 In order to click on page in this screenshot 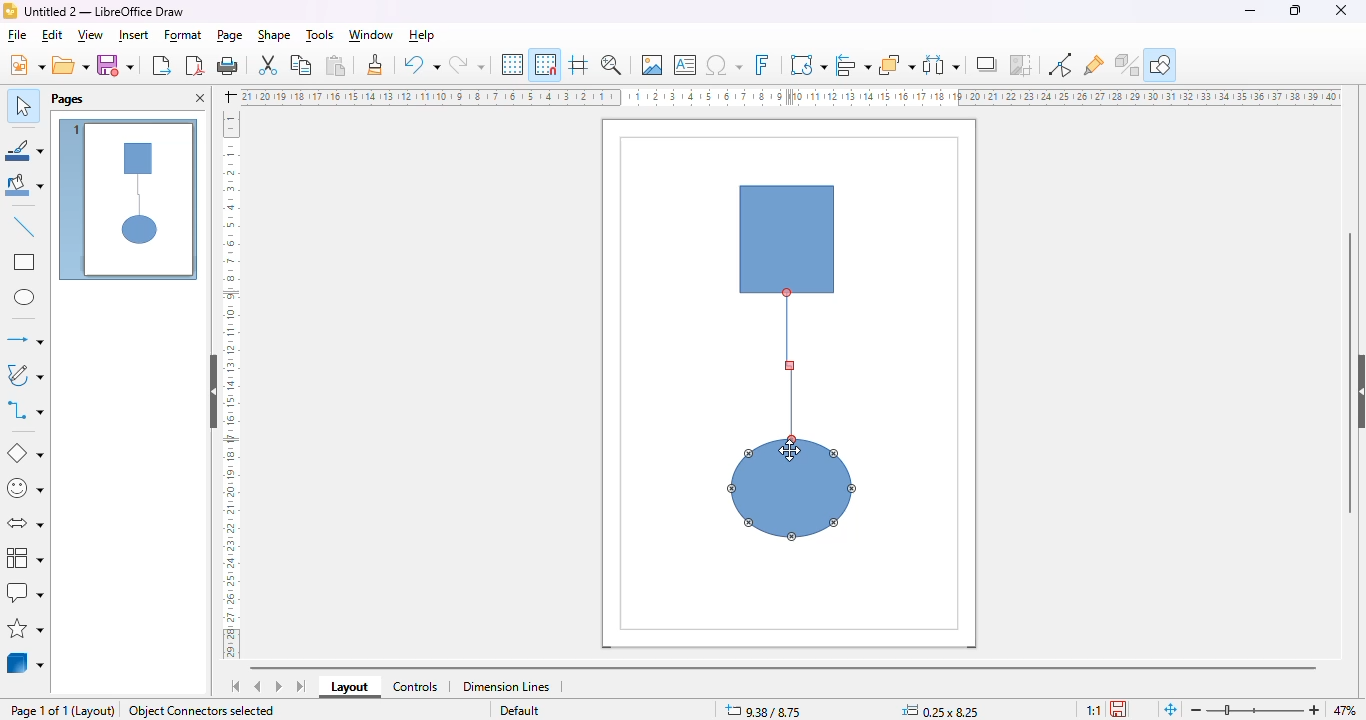, I will do `click(231, 35)`.